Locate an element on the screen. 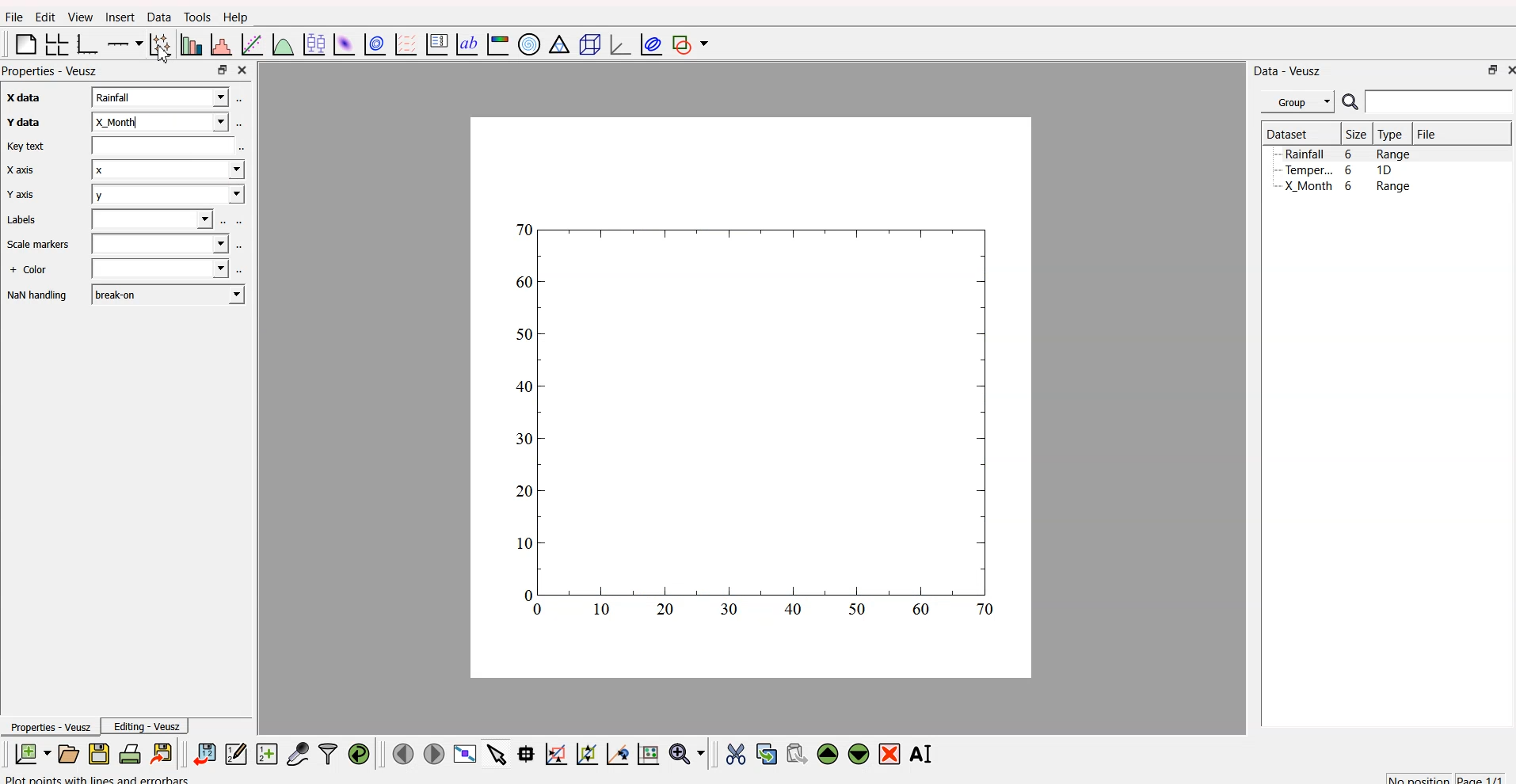 This screenshot has width=1516, height=784. Group is located at coordinates (1297, 102).